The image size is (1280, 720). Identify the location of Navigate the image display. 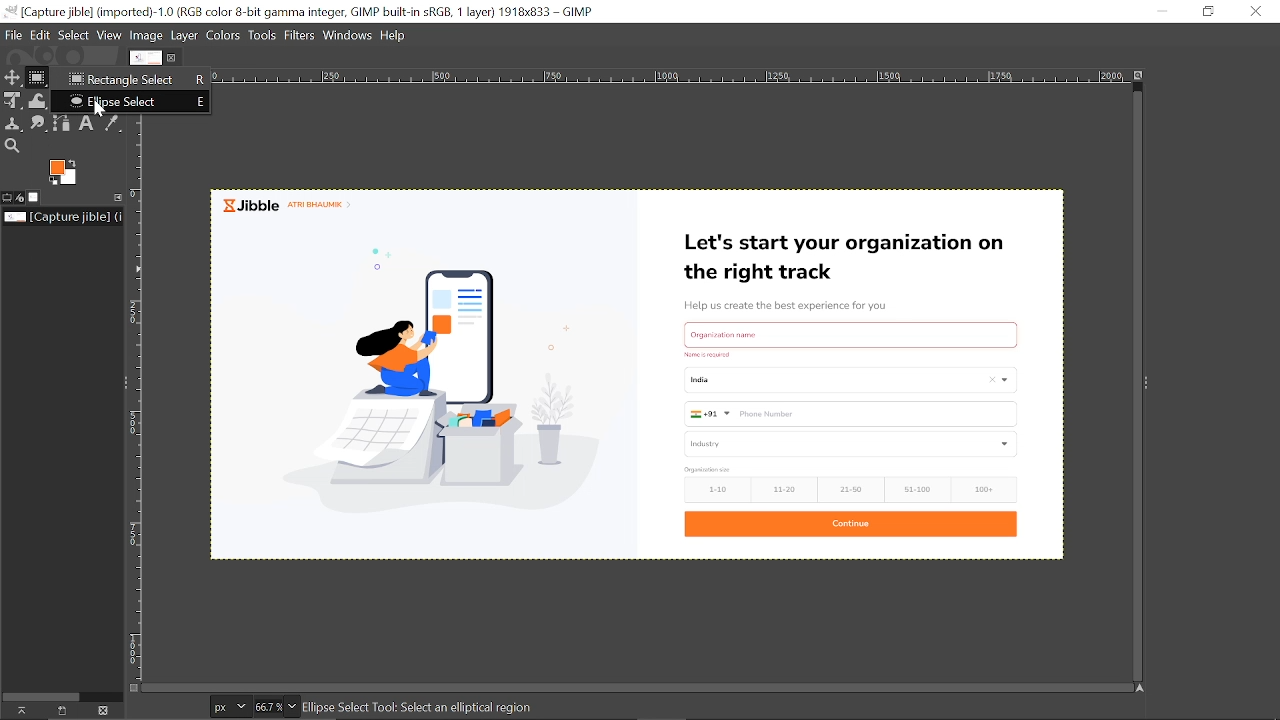
(1138, 688).